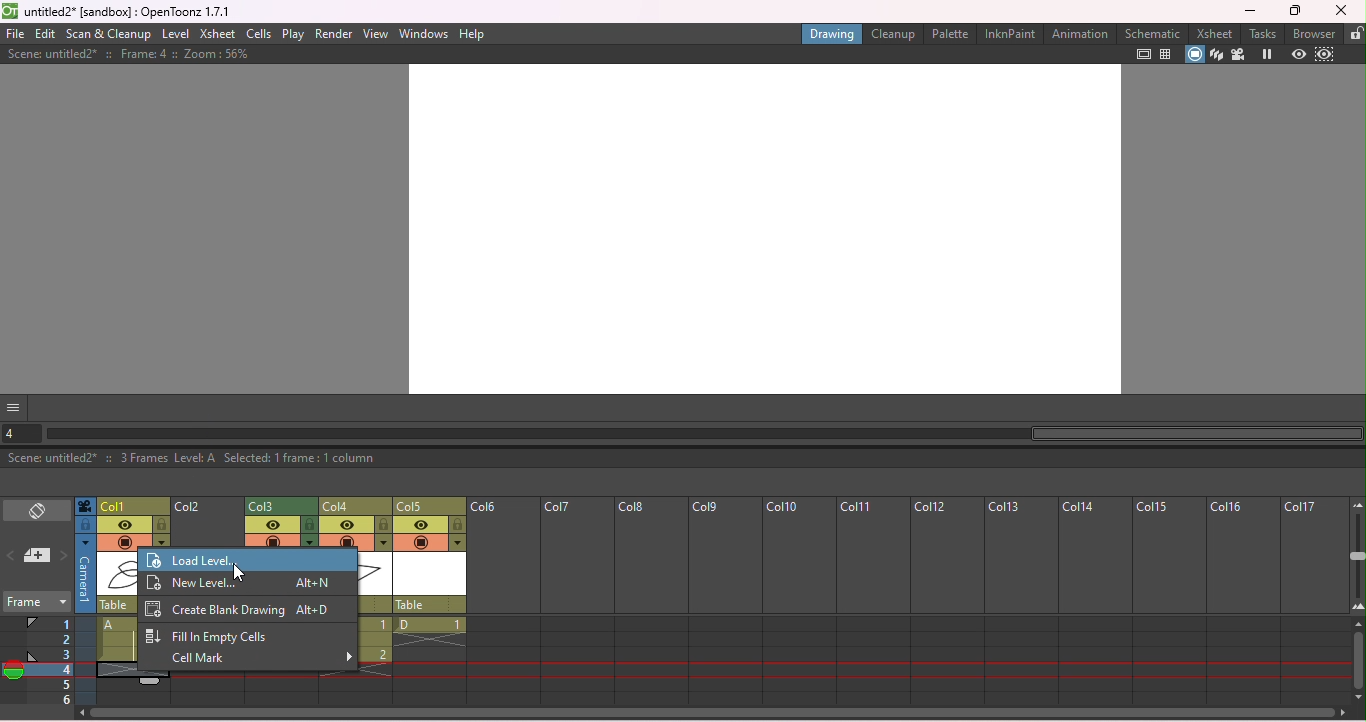  Describe the element at coordinates (333, 34) in the screenshot. I see `Render` at that location.